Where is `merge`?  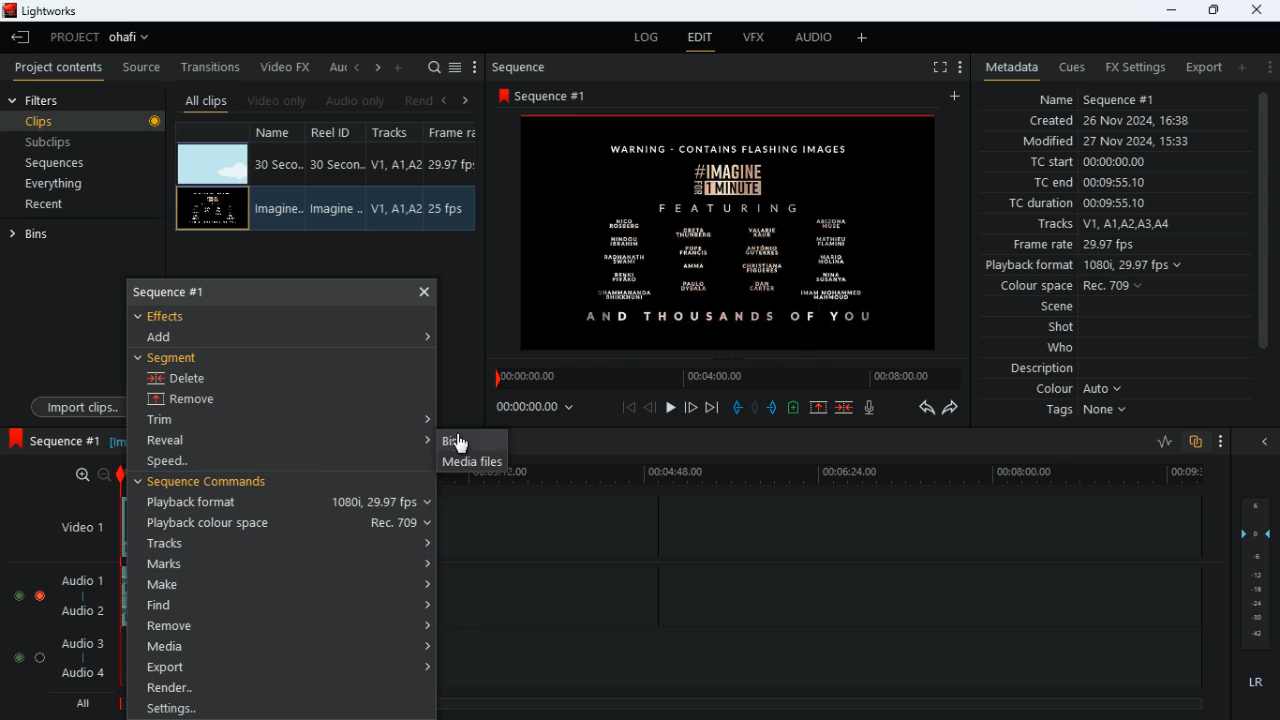
merge is located at coordinates (845, 406).